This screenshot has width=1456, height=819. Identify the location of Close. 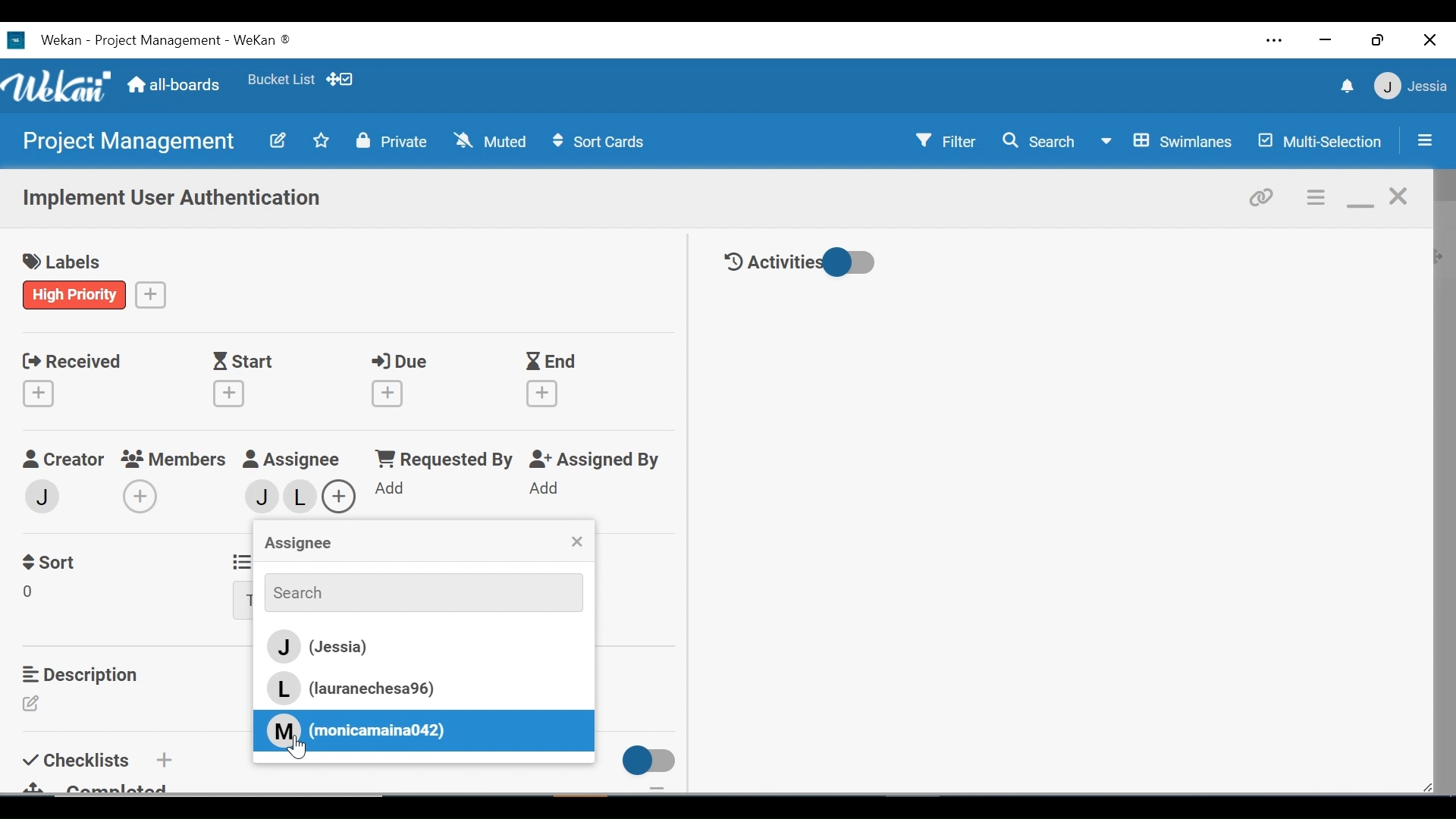
(576, 543).